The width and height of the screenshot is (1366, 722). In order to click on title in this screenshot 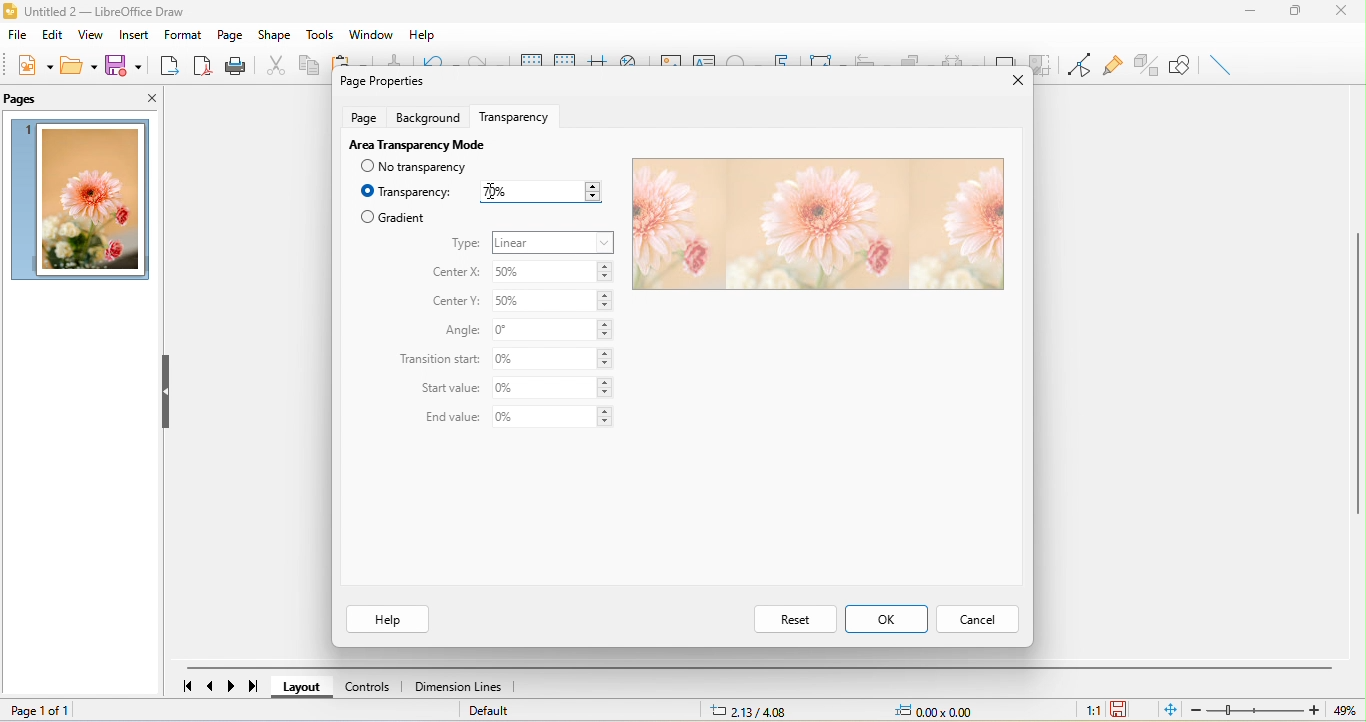, I will do `click(102, 13)`.